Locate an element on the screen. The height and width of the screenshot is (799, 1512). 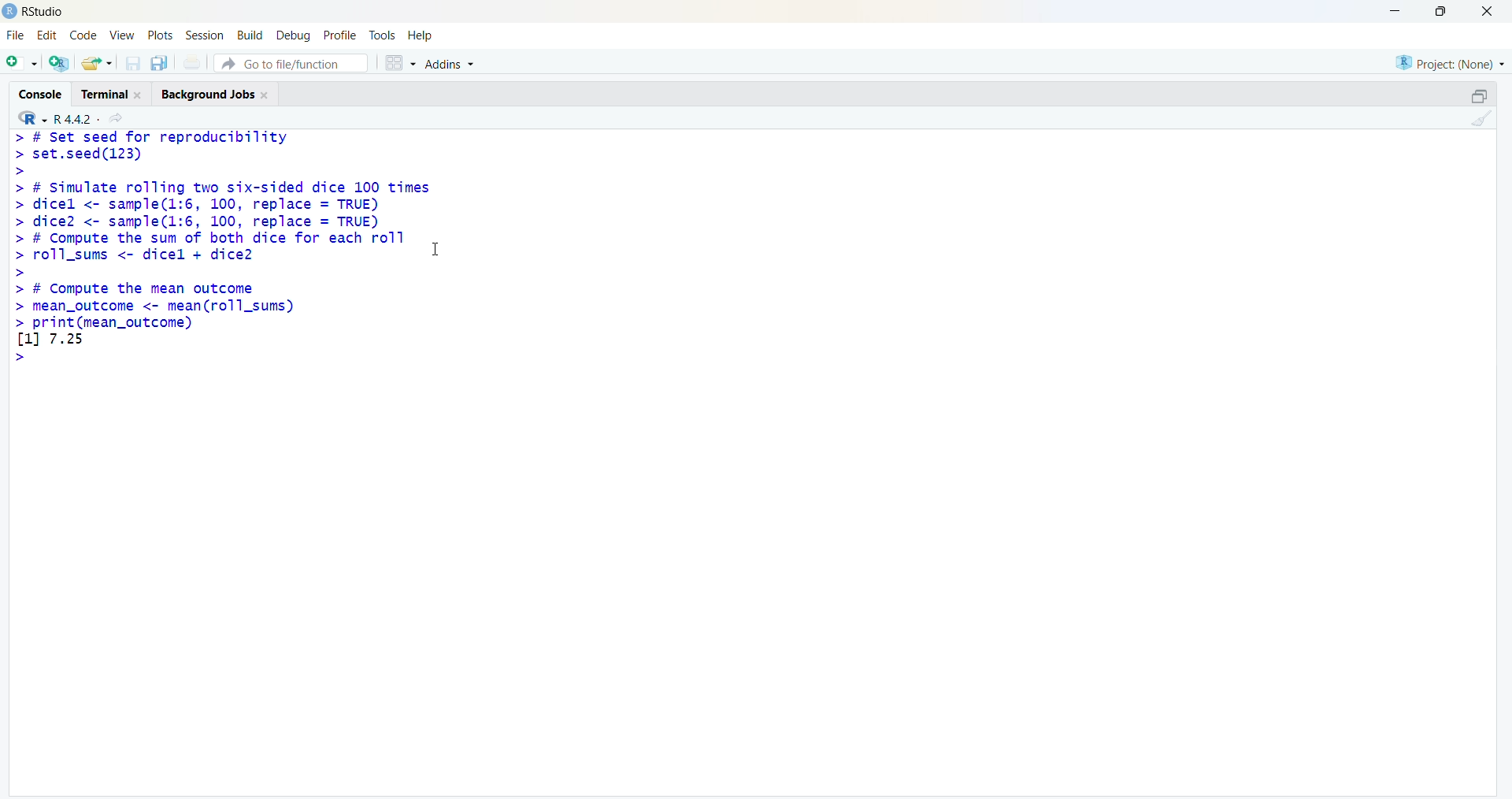
session is located at coordinates (205, 35).